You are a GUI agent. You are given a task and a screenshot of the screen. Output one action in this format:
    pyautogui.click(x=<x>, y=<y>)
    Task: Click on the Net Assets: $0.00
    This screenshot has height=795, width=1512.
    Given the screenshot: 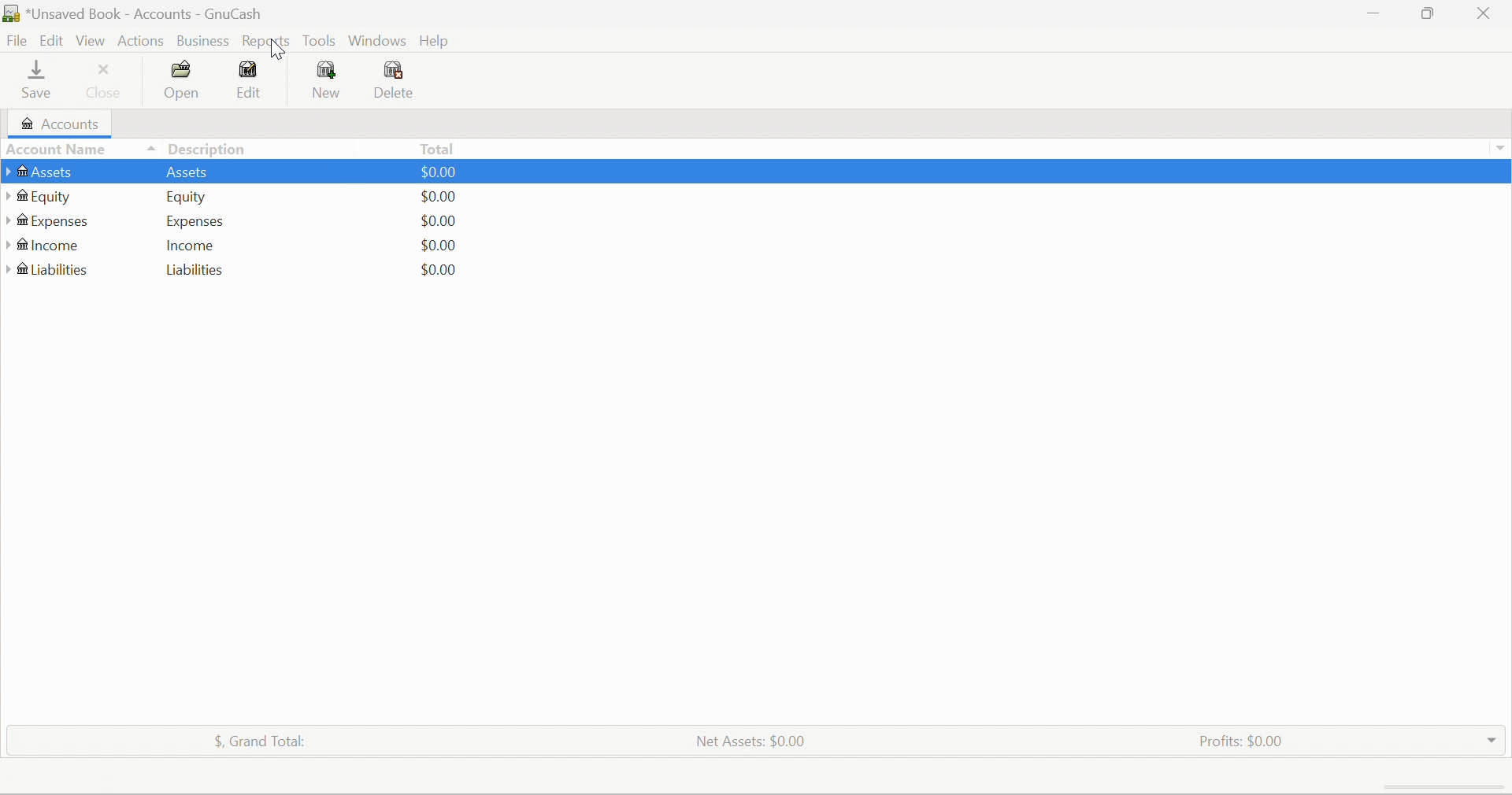 What is the action you would take?
    pyautogui.click(x=746, y=741)
    